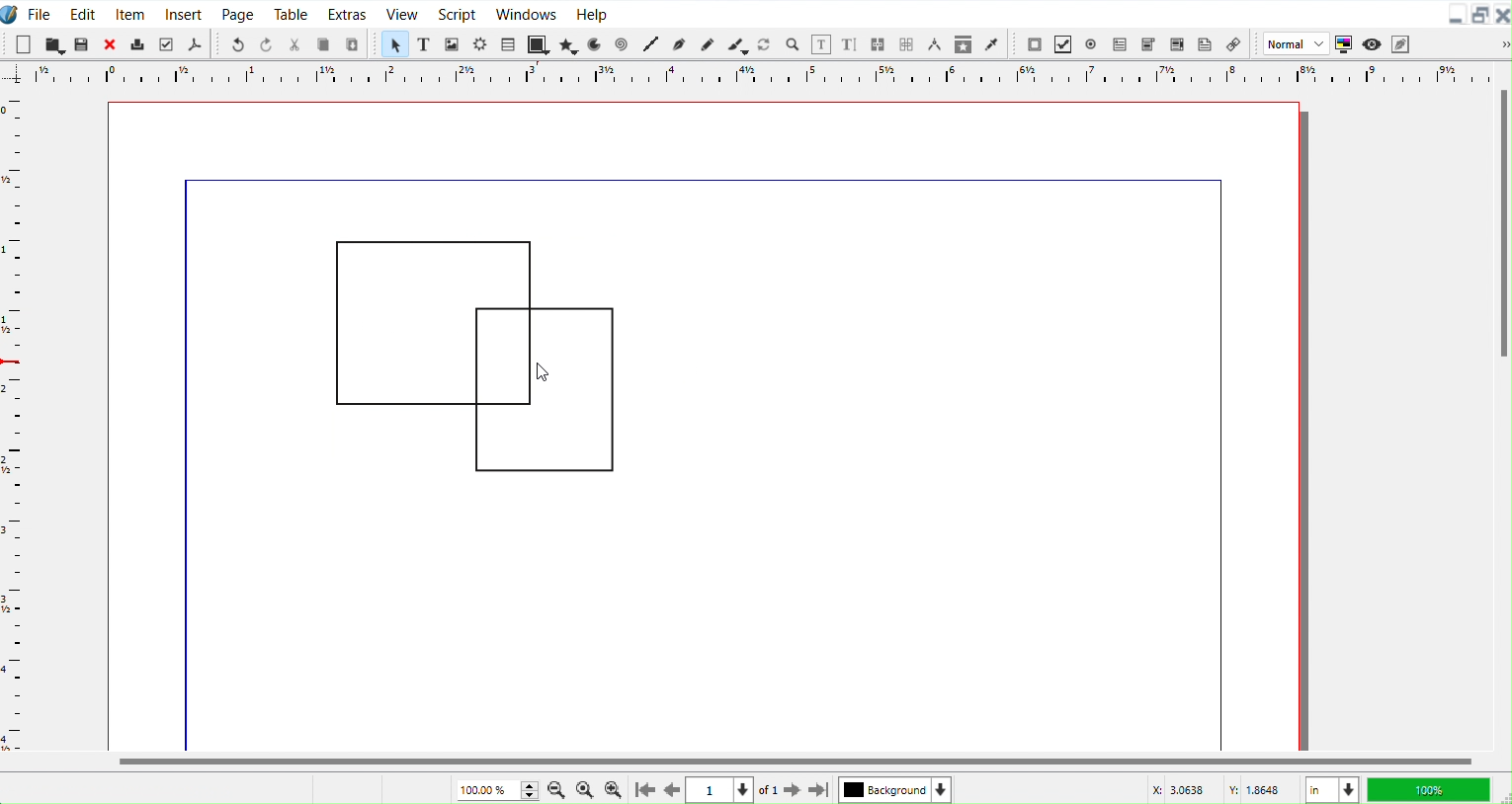  I want to click on Close, so click(108, 44).